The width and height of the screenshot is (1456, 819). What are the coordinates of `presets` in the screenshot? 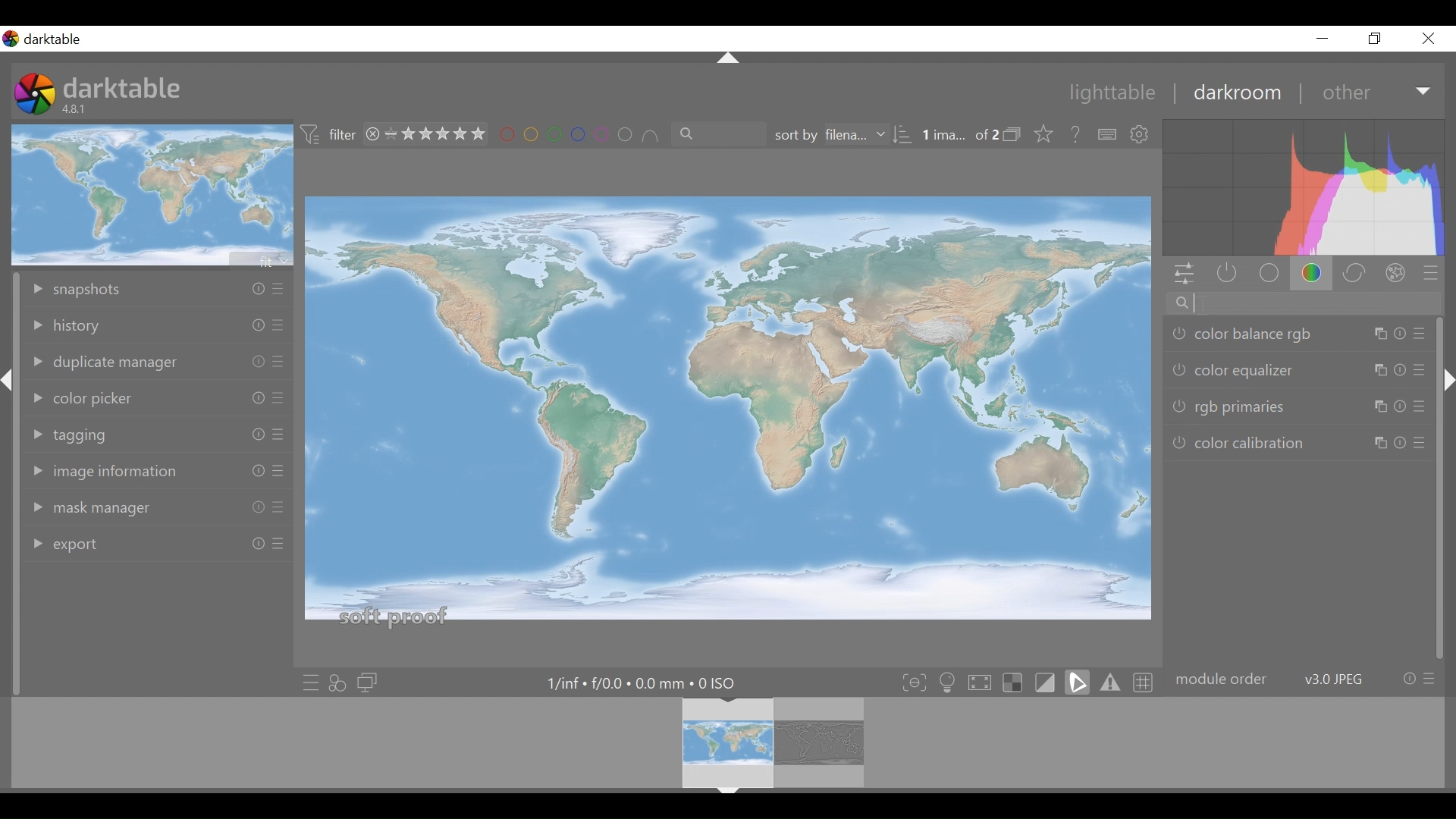 It's located at (1431, 271).